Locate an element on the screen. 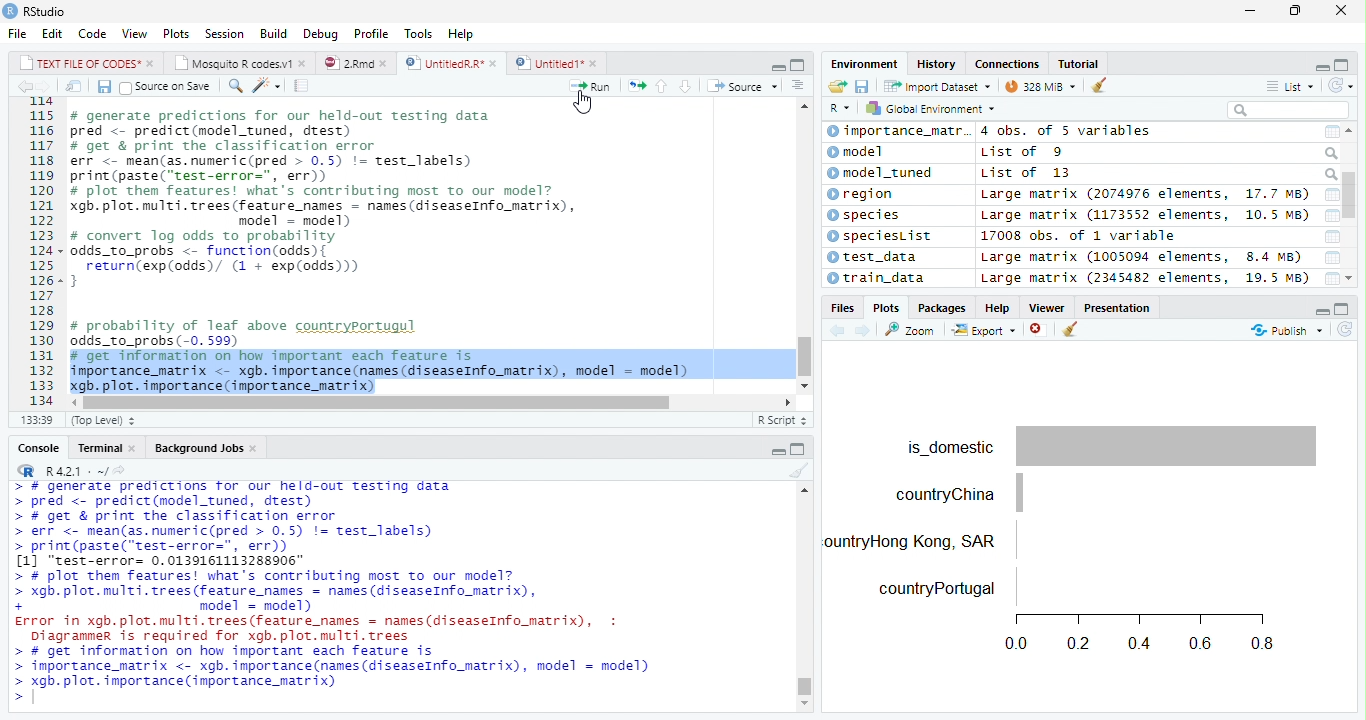  List of 9 is located at coordinates (1022, 151).